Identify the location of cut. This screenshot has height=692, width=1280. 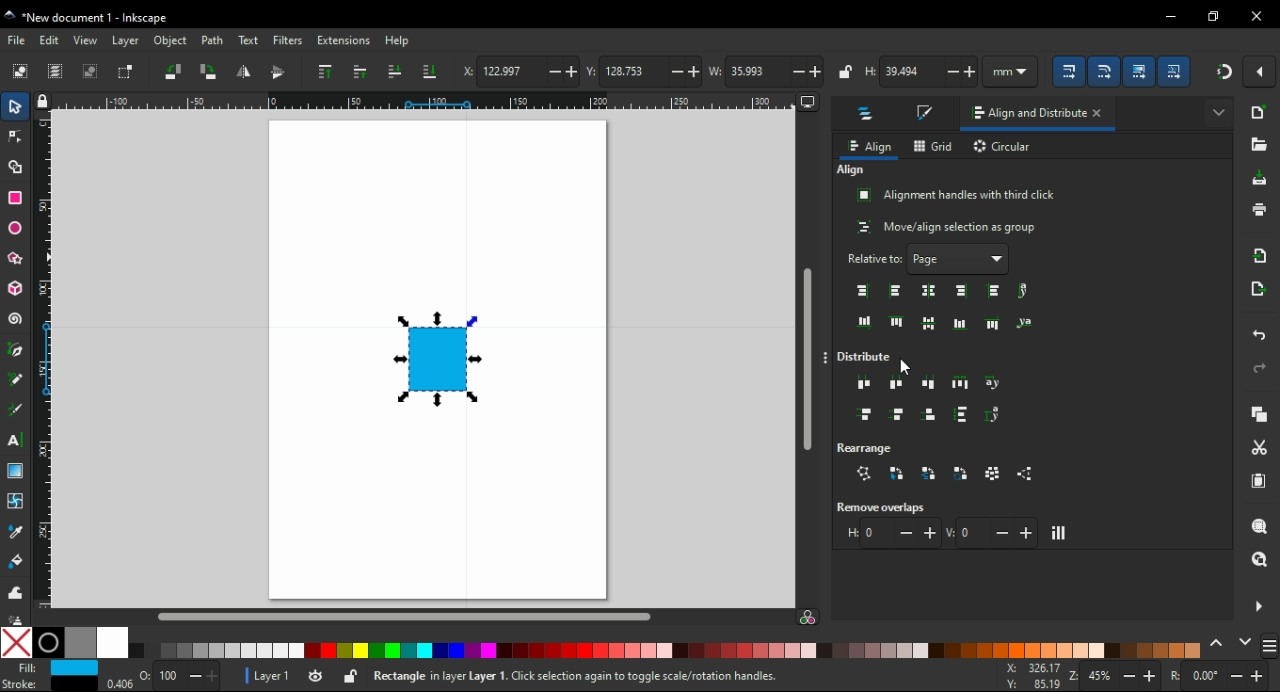
(1260, 448).